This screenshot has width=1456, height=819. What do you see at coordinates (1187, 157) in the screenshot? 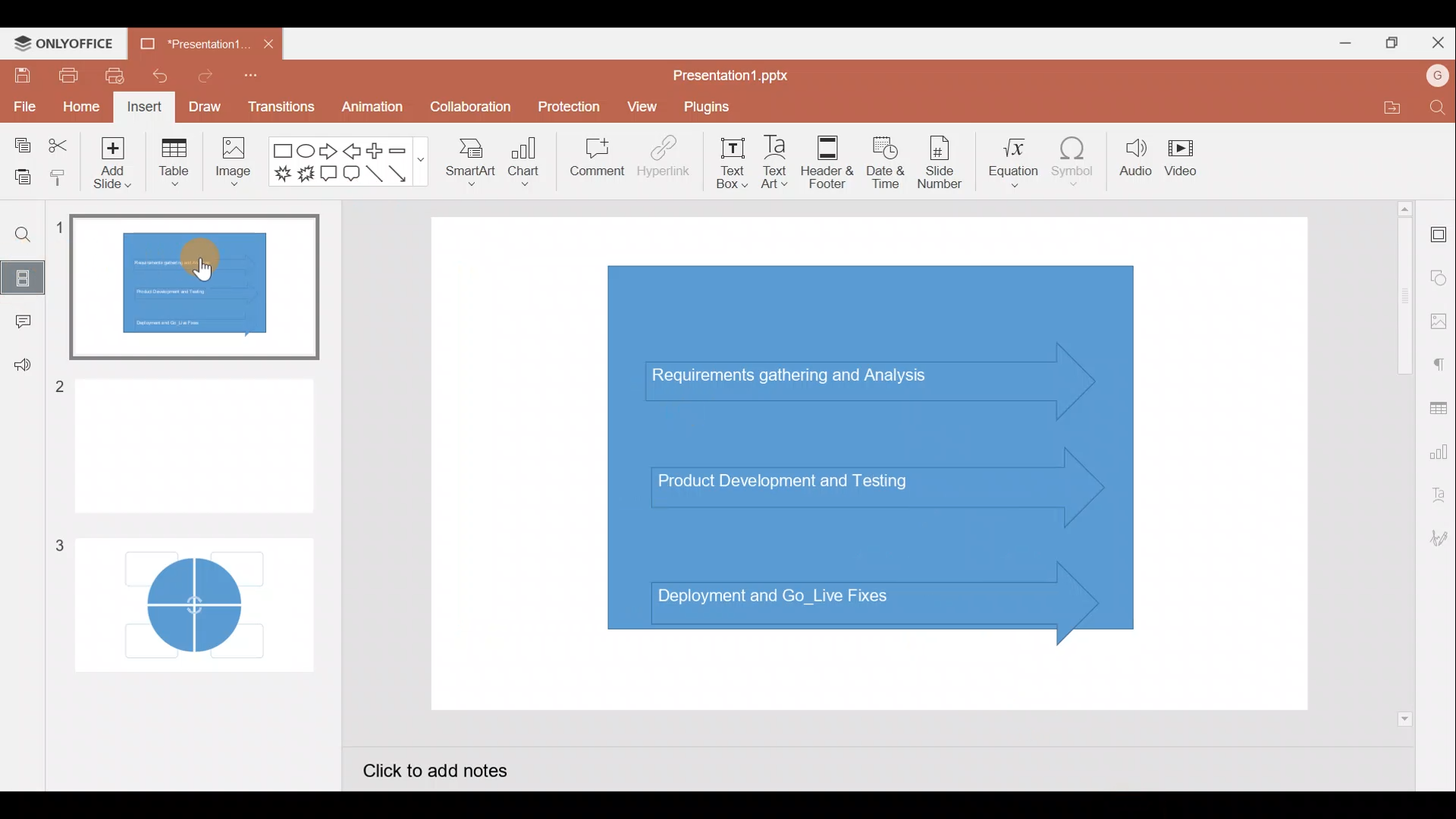
I see `Video` at bounding box center [1187, 157].